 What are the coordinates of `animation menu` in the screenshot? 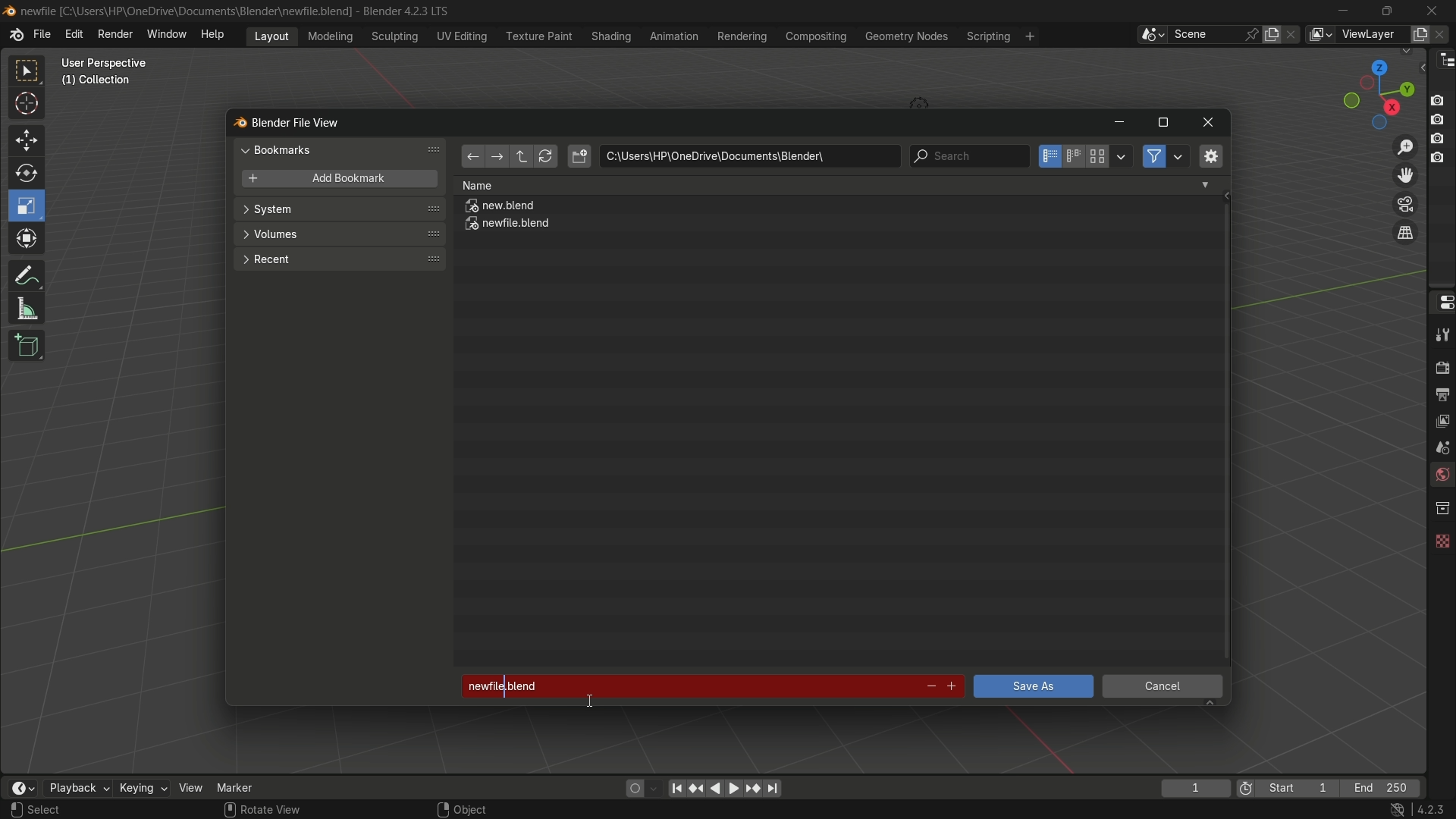 It's located at (674, 36).